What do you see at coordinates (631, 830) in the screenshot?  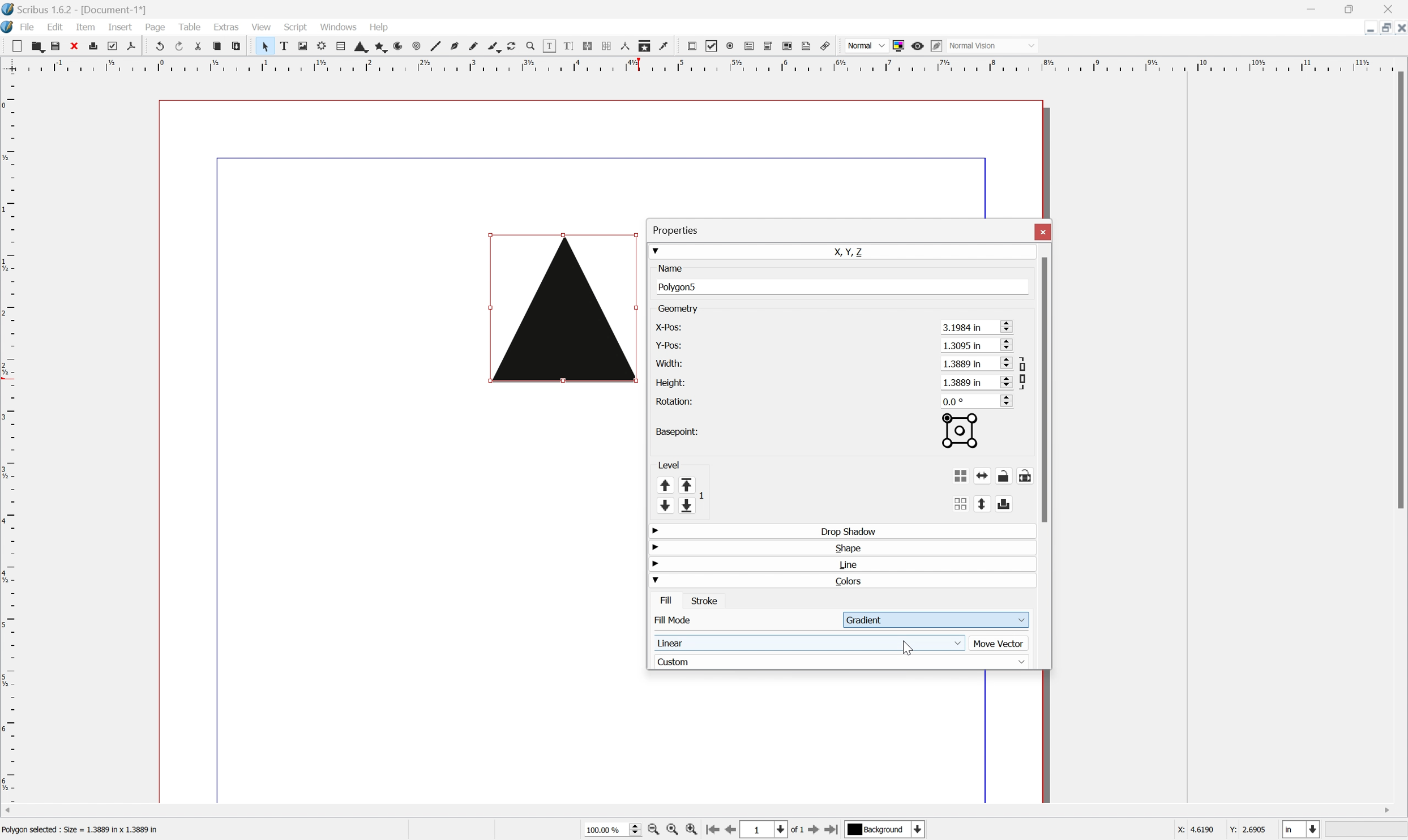 I see `Slider` at bounding box center [631, 830].